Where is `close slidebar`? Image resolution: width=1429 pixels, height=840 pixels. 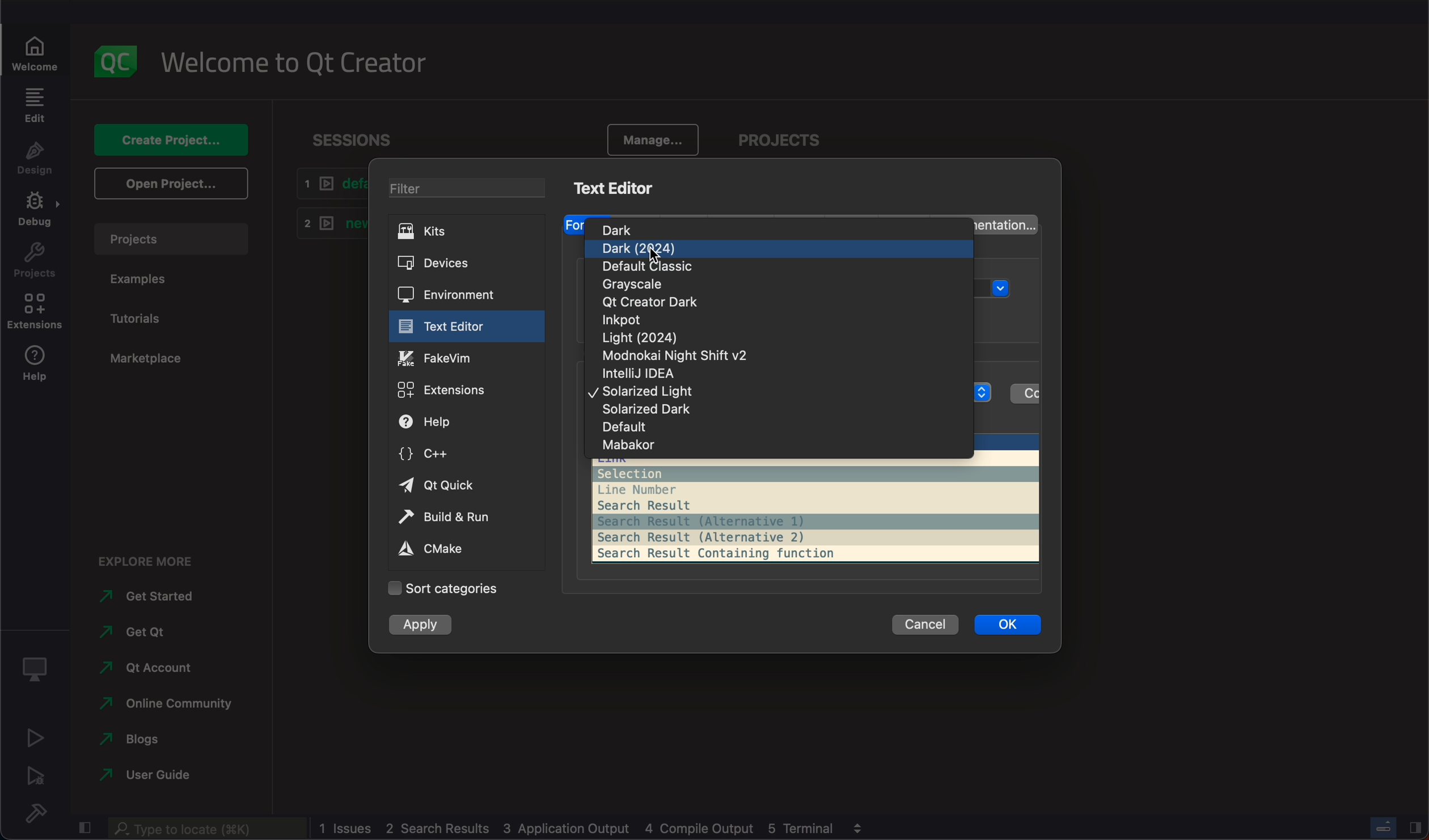 close slidebar is located at coordinates (83, 830).